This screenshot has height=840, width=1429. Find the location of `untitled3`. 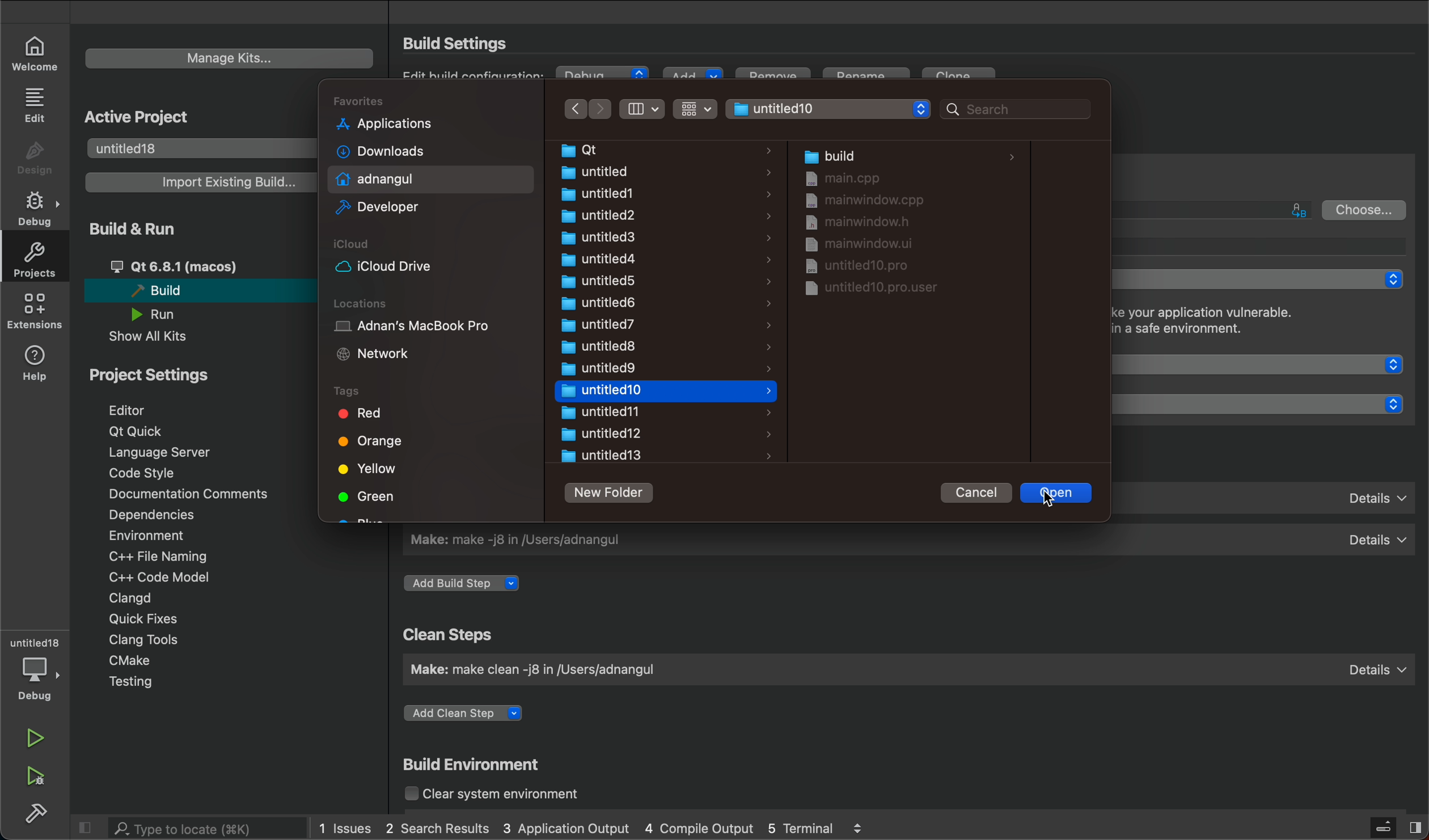

untitled3 is located at coordinates (648, 237).